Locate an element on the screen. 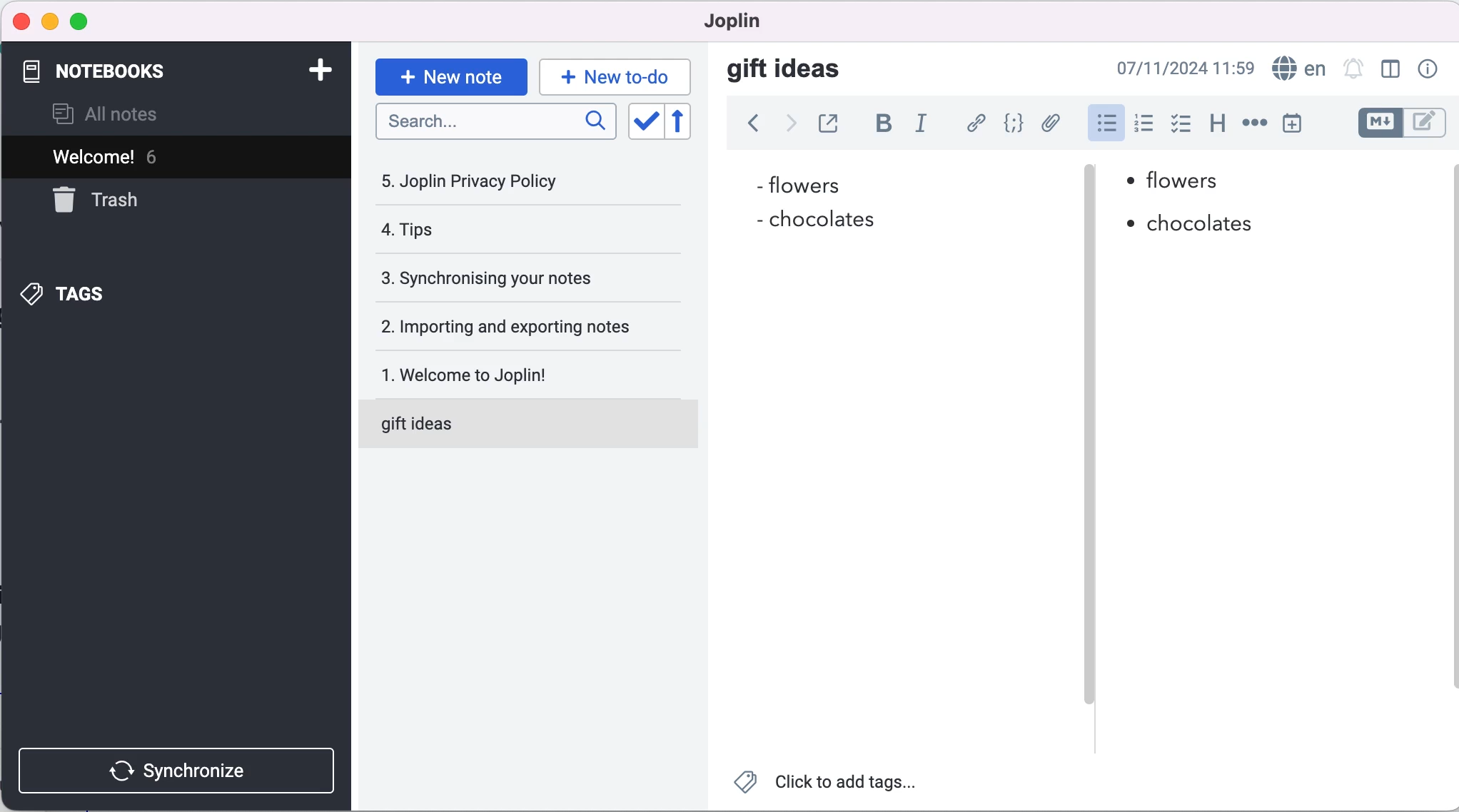 This screenshot has height=812, width=1459. joplin privacy policy is located at coordinates (480, 181).